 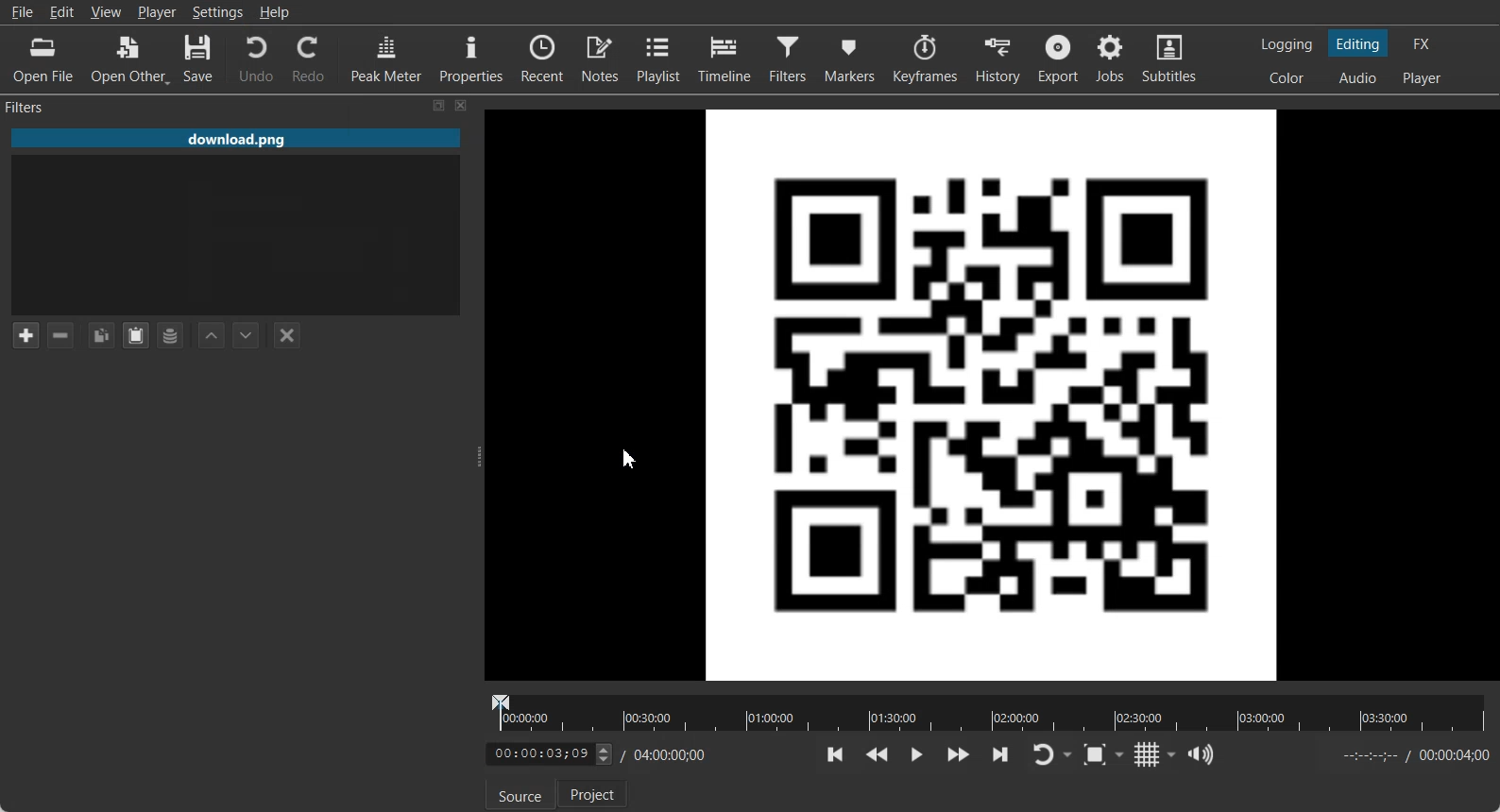 What do you see at coordinates (995, 394) in the screenshot?
I see `File preview window` at bounding box center [995, 394].